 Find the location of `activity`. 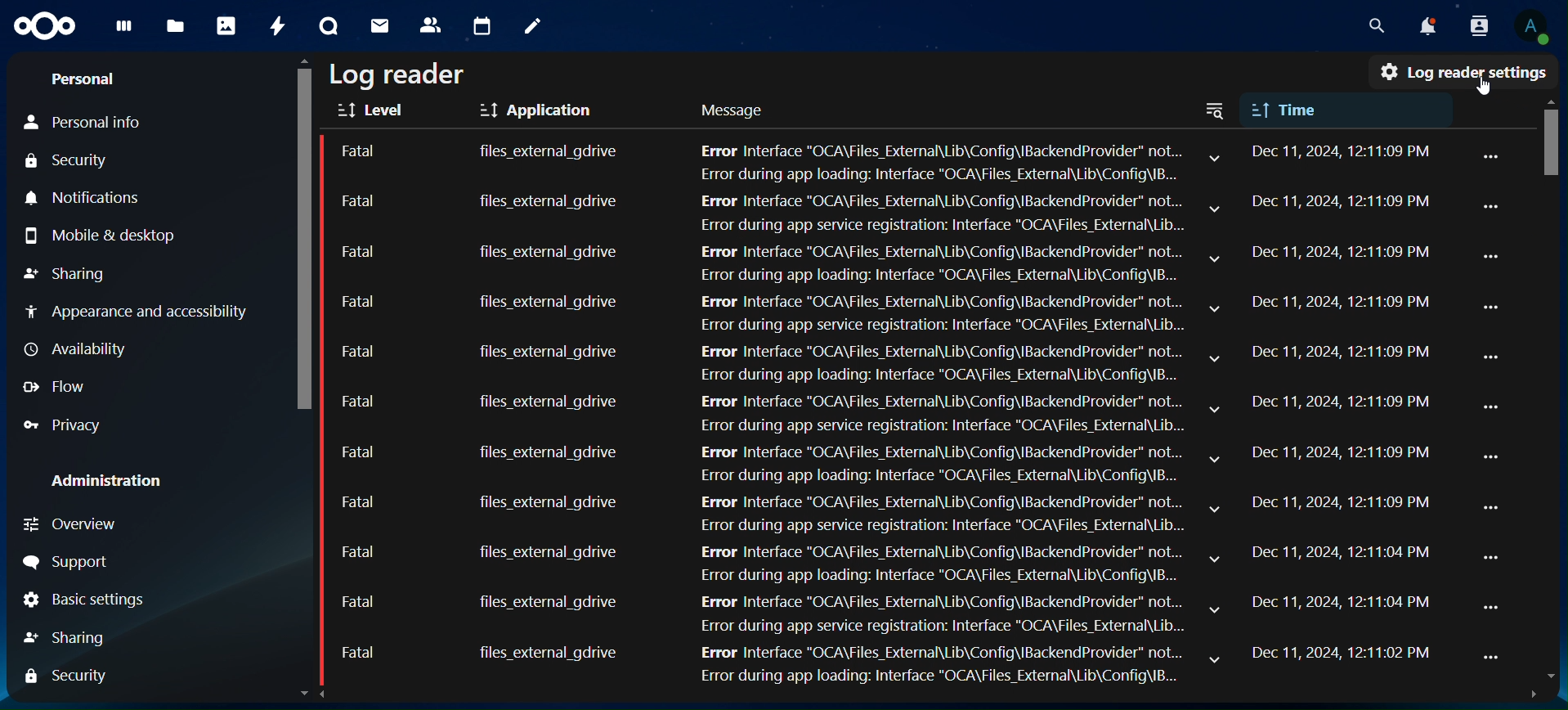

activity is located at coordinates (278, 28).